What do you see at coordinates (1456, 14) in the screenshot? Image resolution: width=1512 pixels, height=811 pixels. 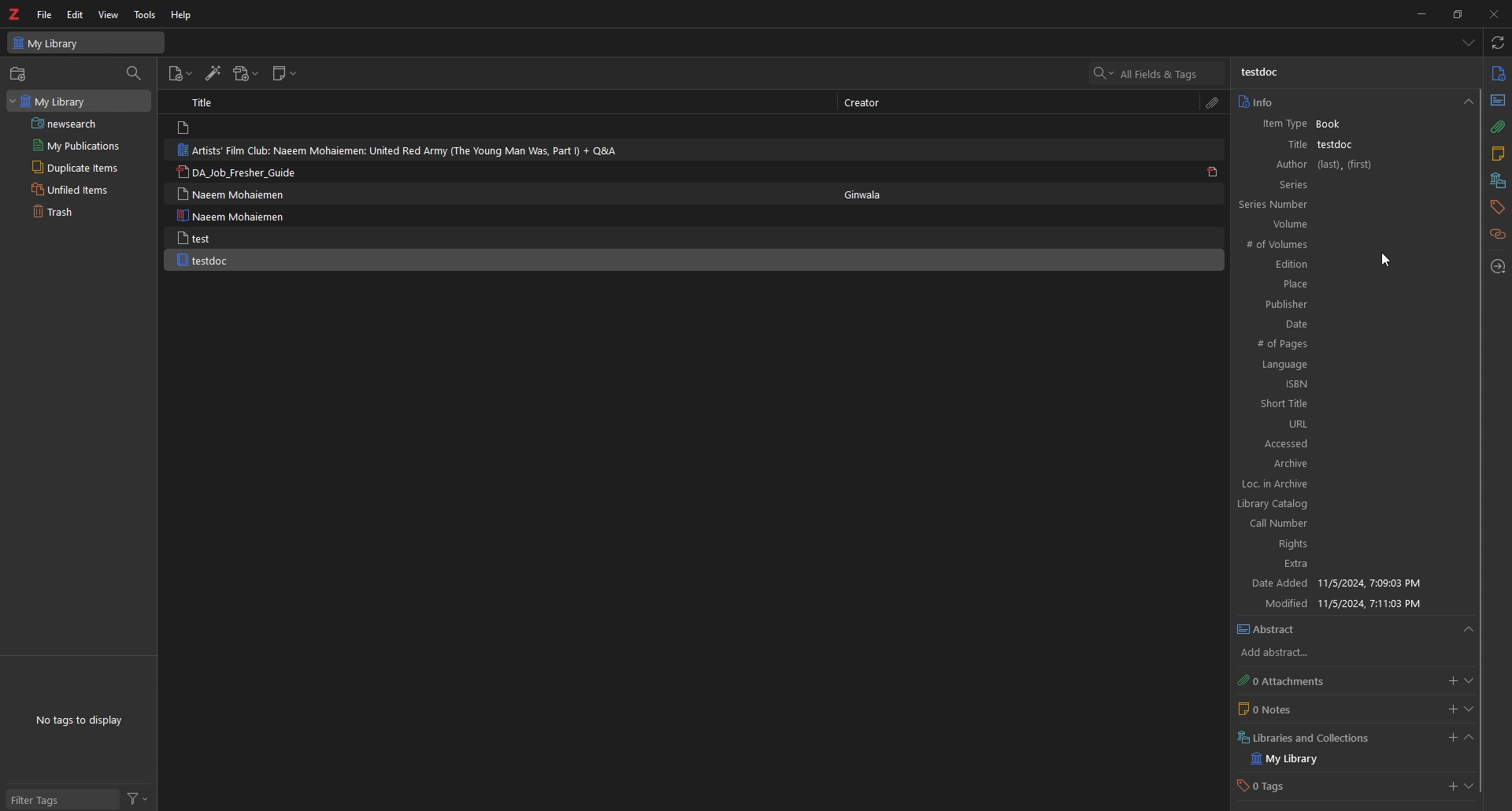 I see `resize` at bounding box center [1456, 14].